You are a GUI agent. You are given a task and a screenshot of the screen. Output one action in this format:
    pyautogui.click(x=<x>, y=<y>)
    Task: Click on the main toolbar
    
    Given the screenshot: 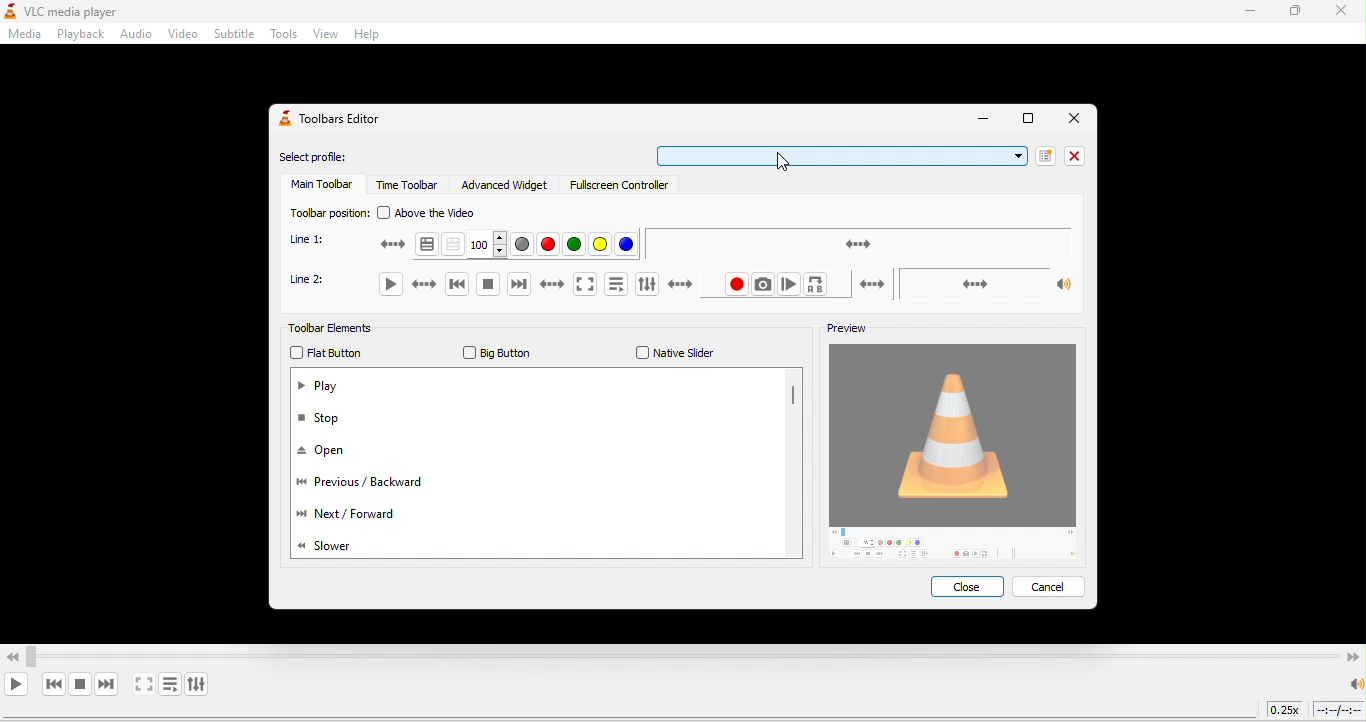 What is the action you would take?
    pyautogui.click(x=320, y=187)
    